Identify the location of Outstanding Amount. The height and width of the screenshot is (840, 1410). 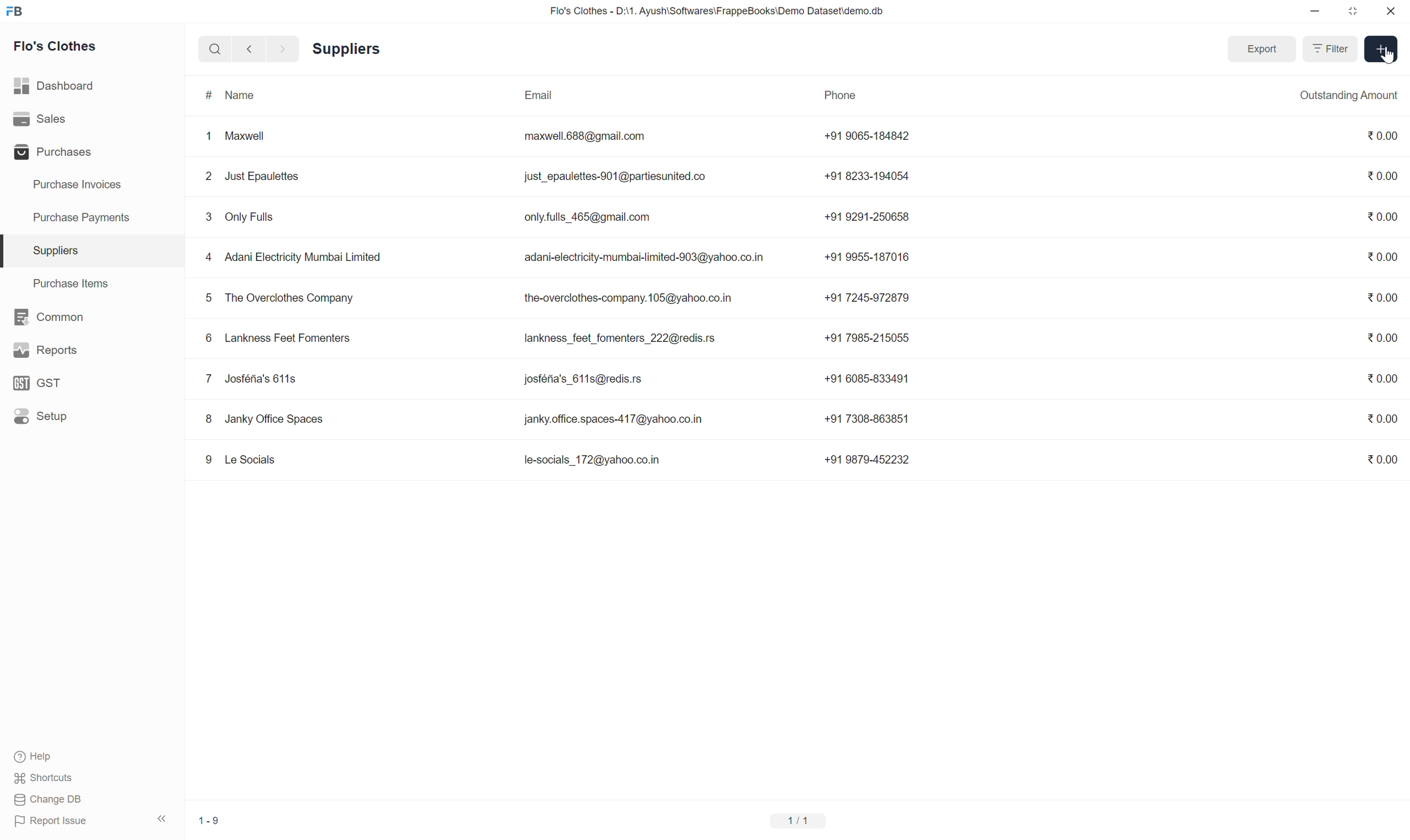
(1335, 96).